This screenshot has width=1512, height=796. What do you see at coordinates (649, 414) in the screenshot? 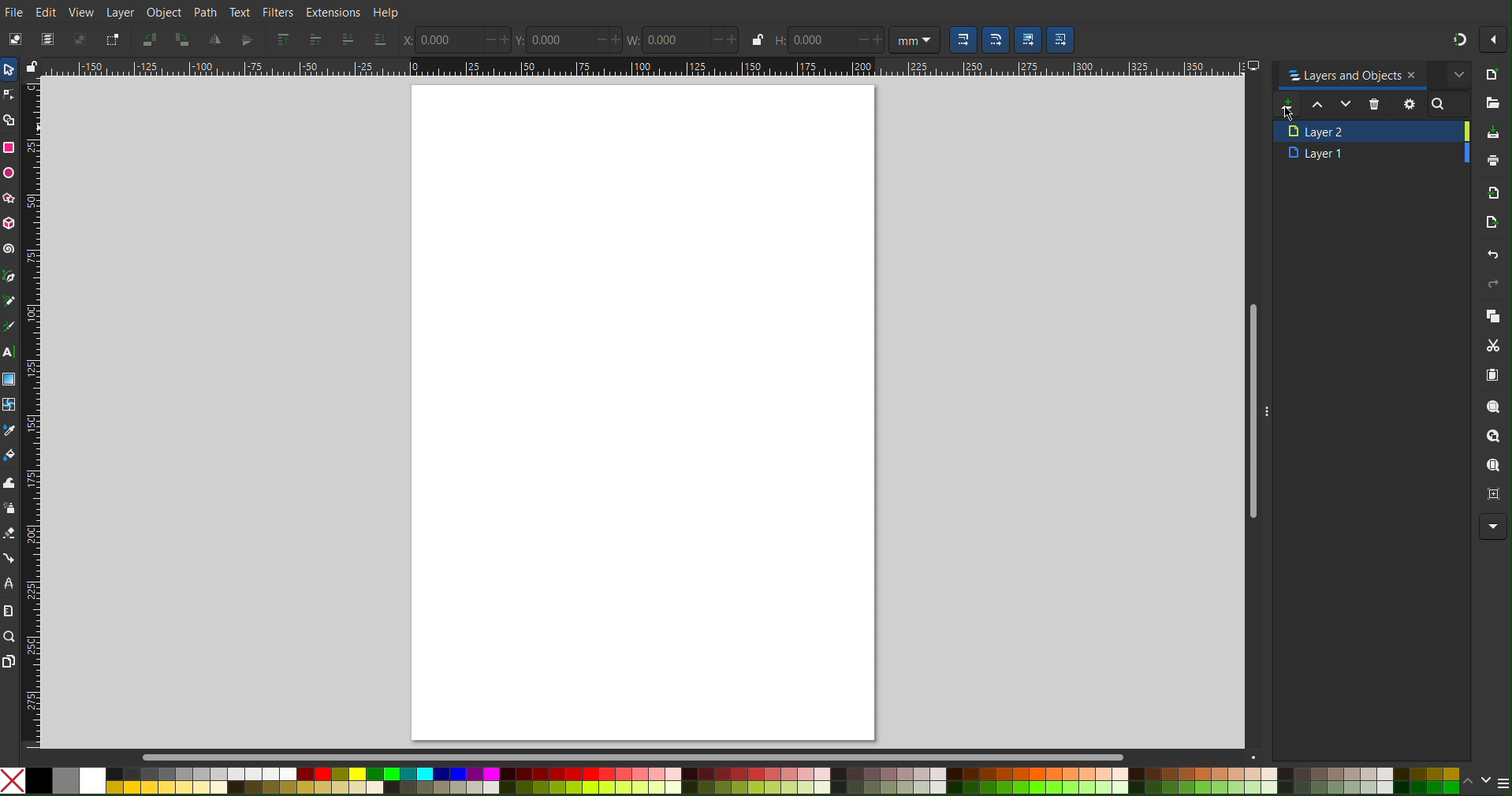
I see `canvas` at bounding box center [649, 414].